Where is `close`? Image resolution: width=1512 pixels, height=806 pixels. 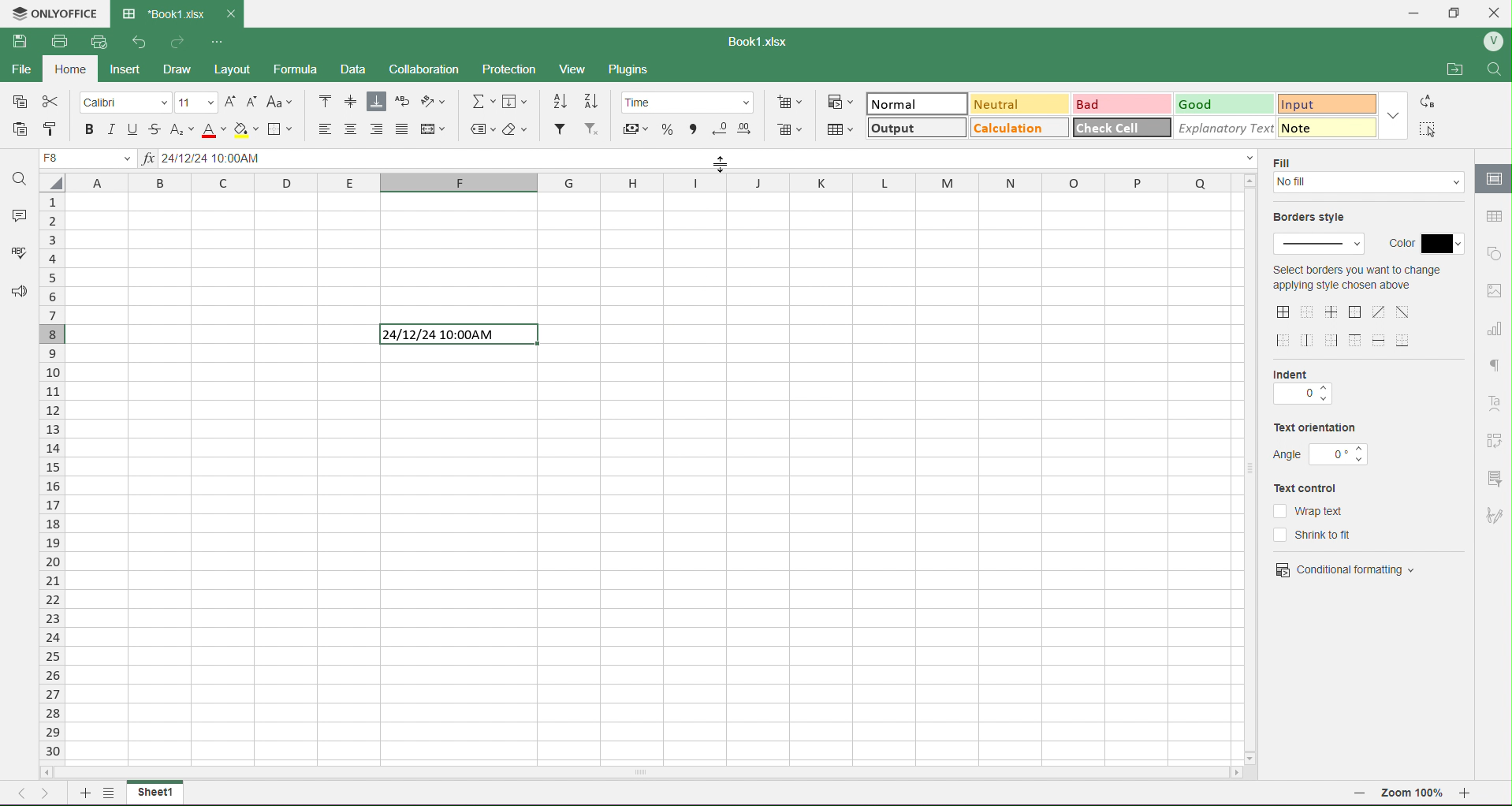
close is located at coordinates (1499, 11).